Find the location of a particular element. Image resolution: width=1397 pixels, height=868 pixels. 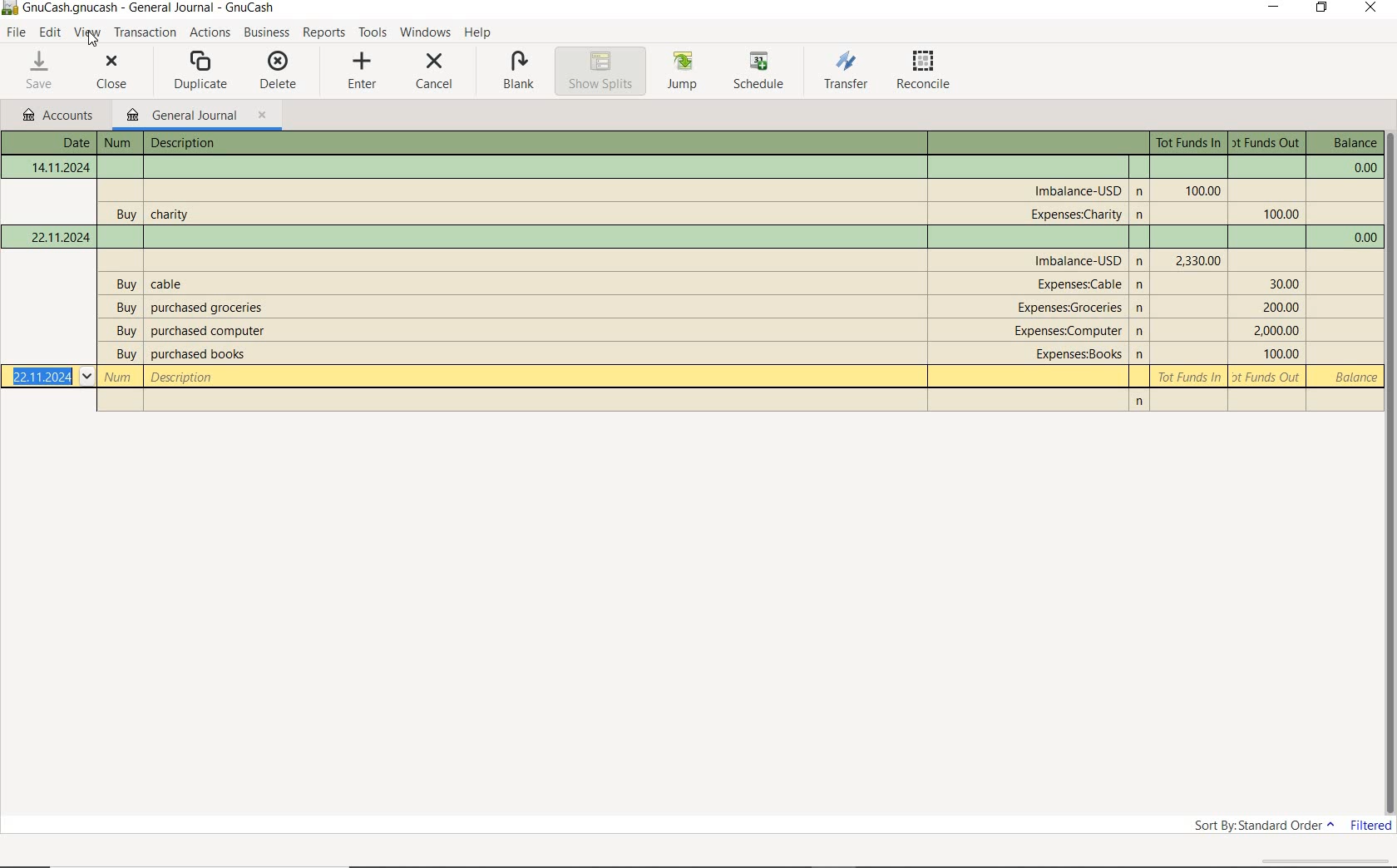

transactions is located at coordinates (147, 33).